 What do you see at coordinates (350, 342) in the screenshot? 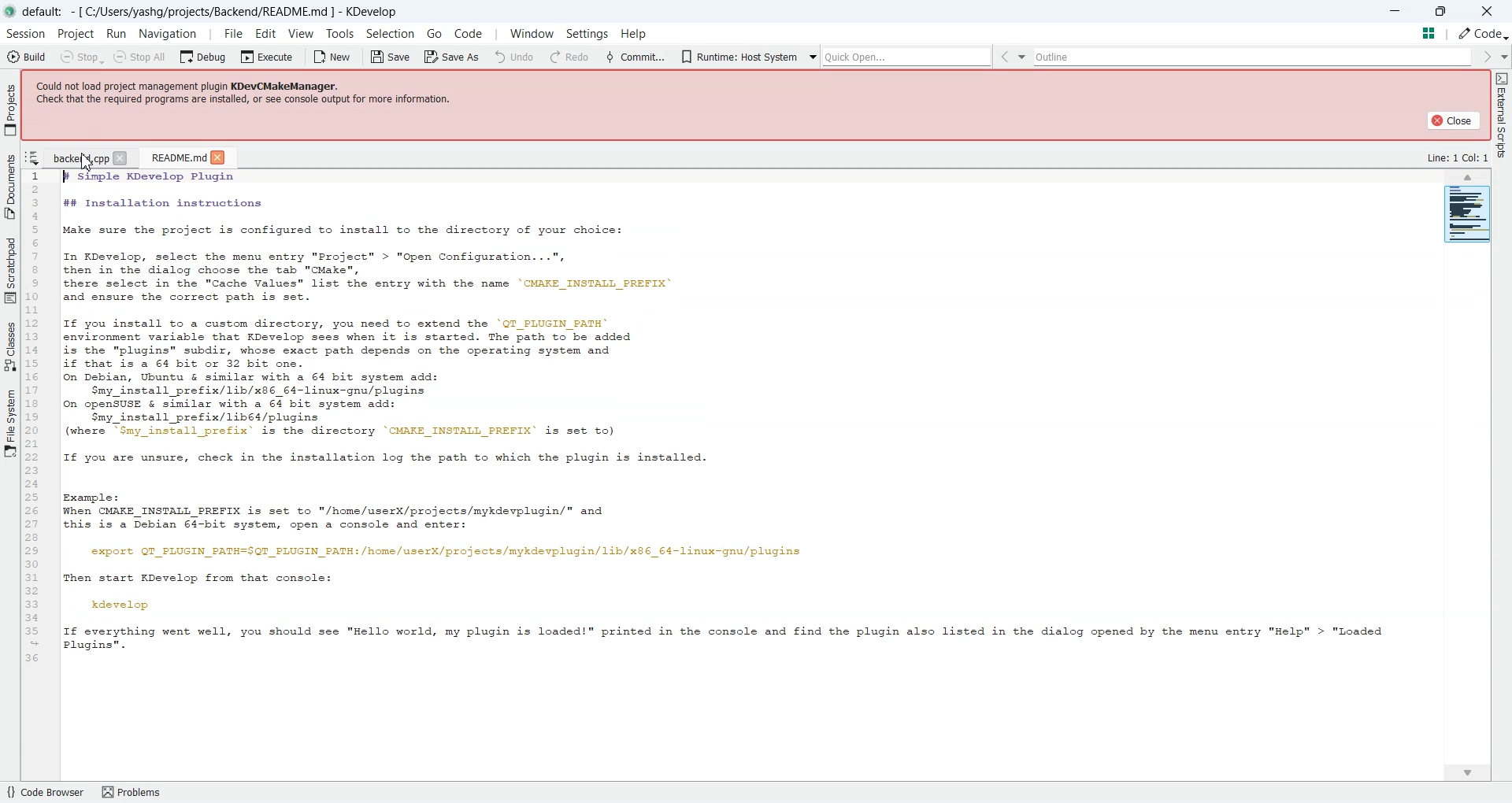
I see `If you install to a custom directory, you need to extend the 'QT PLUGIN PATH’
environment variable that KDevelop sees when it is started. The path to be added
is the "plugins" subdir, whose exact path depends on the operating system and
SF hat 1b un 58 Bik or 3 Bit doe.` at bounding box center [350, 342].